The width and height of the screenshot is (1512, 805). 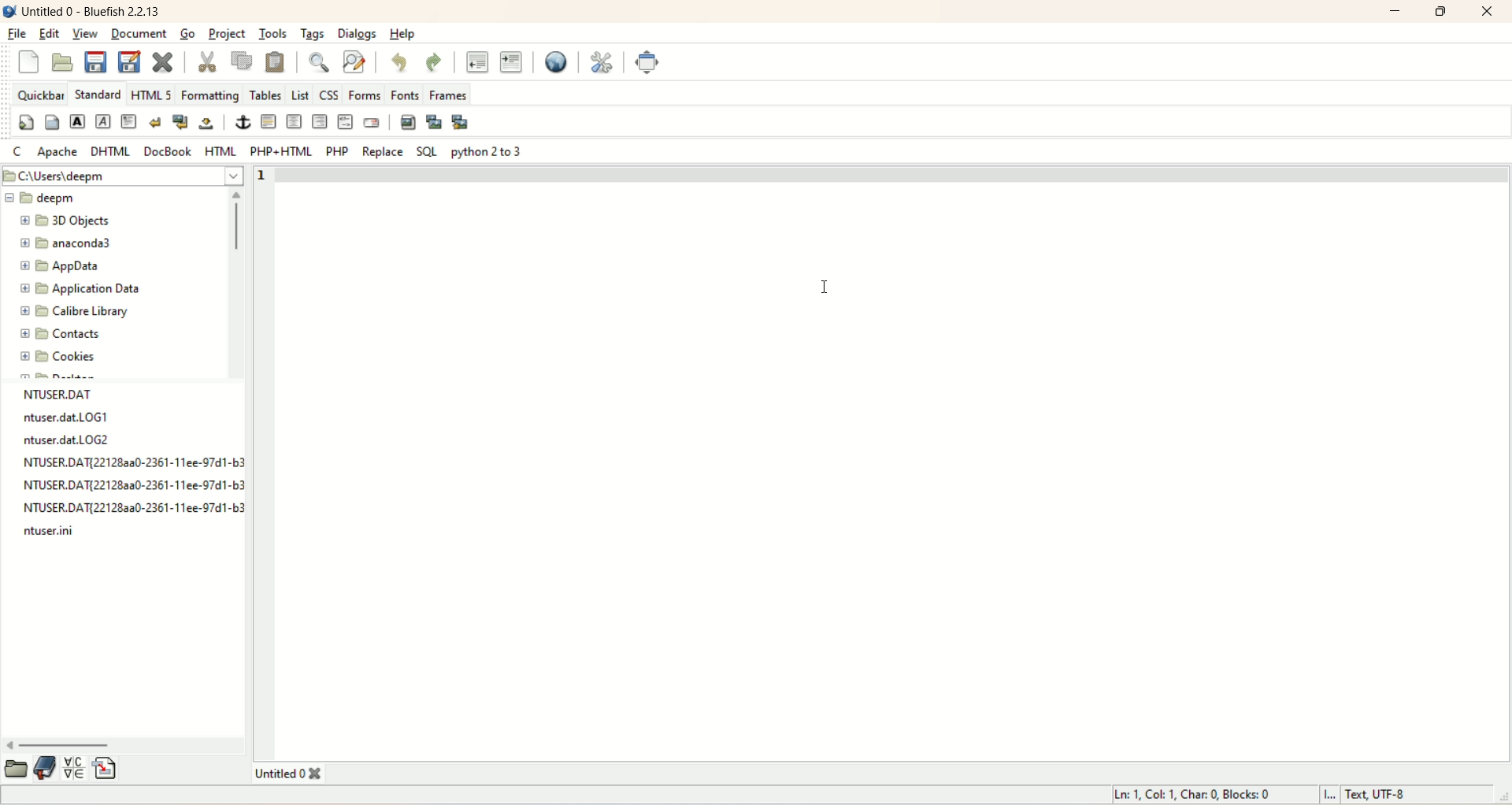 I want to click on horizontal rule, so click(x=267, y=122).